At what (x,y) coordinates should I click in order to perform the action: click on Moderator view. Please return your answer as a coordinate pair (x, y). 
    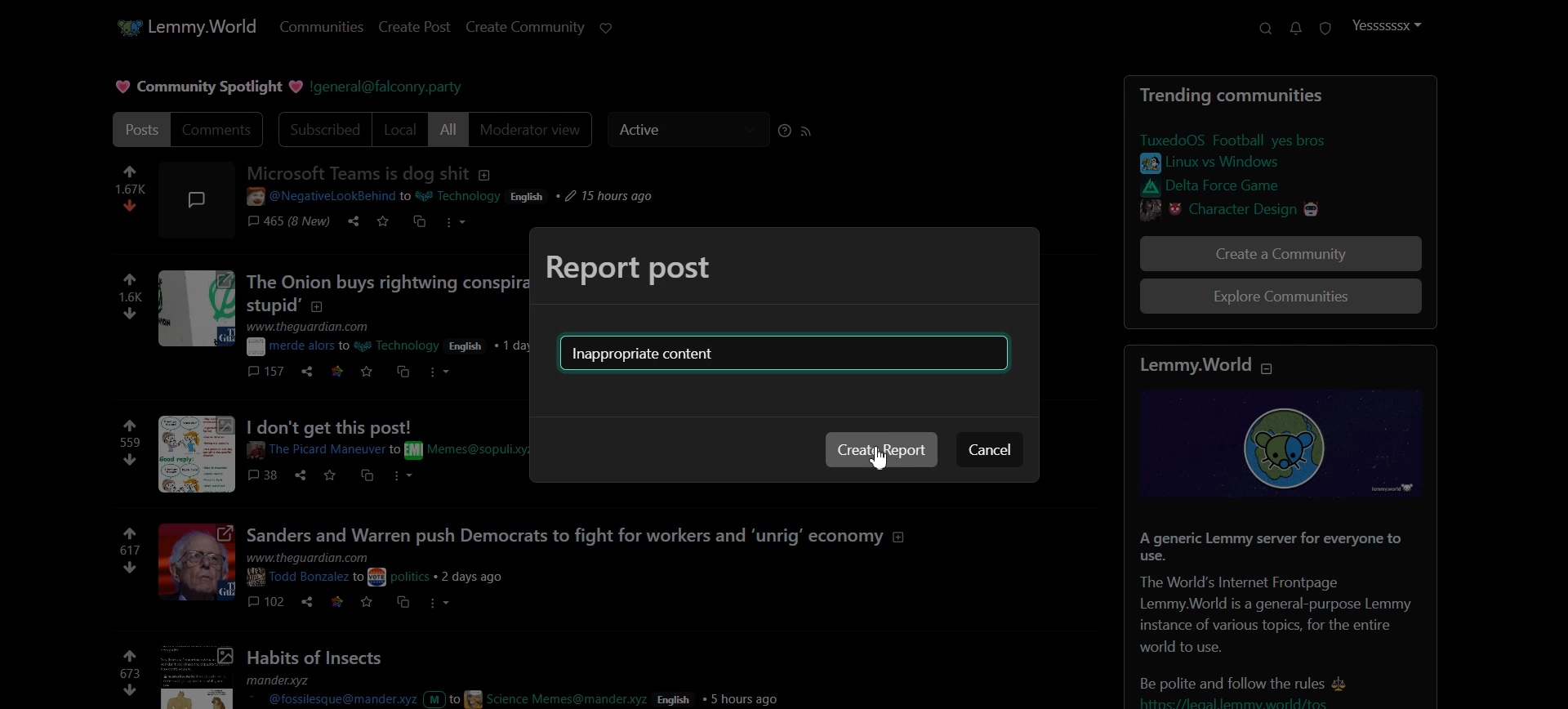
    Looking at the image, I should click on (533, 129).